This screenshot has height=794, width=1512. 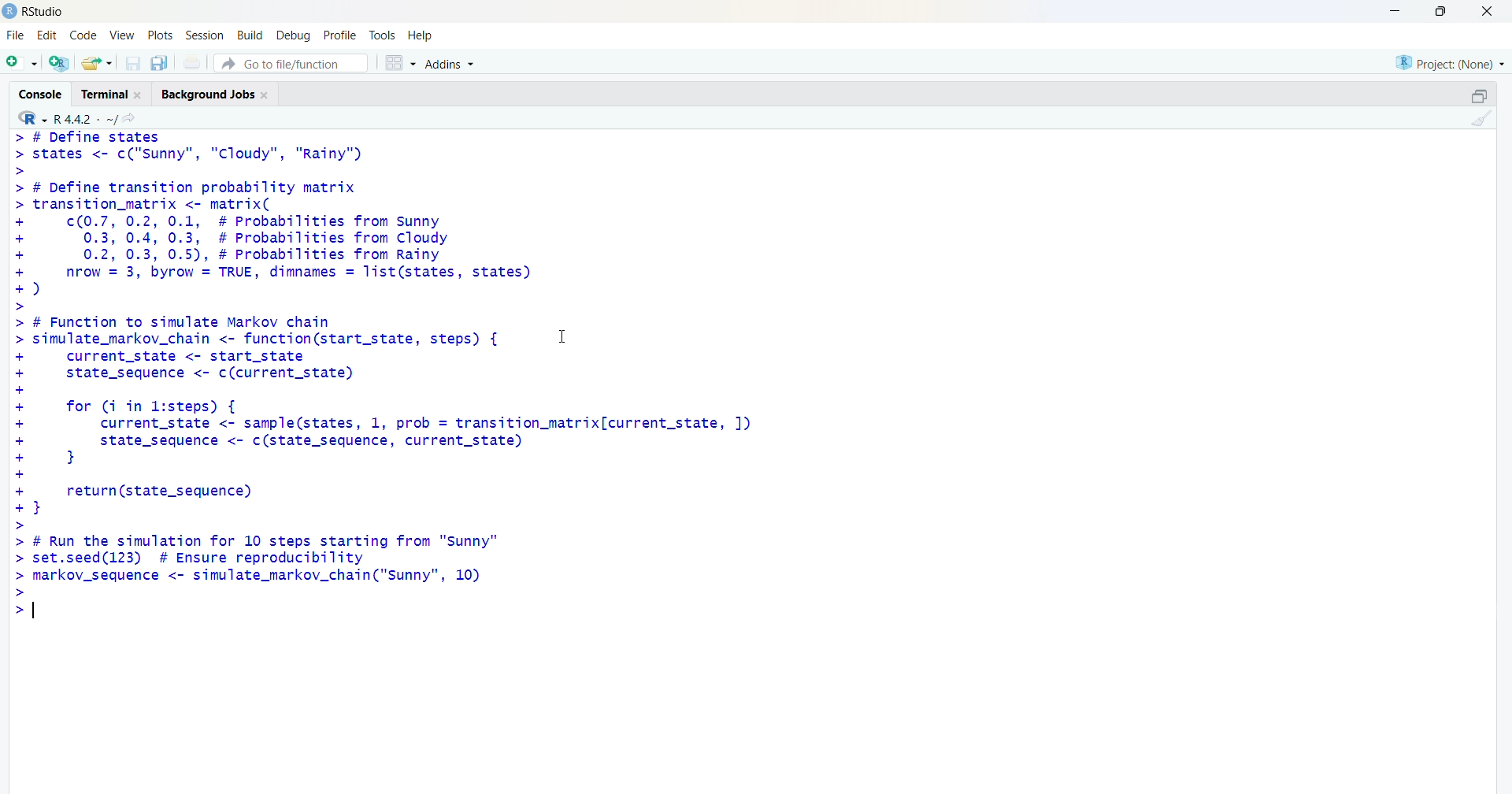 What do you see at coordinates (122, 34) in the screenshot?
I see `view` at bounding box center [122, 34].